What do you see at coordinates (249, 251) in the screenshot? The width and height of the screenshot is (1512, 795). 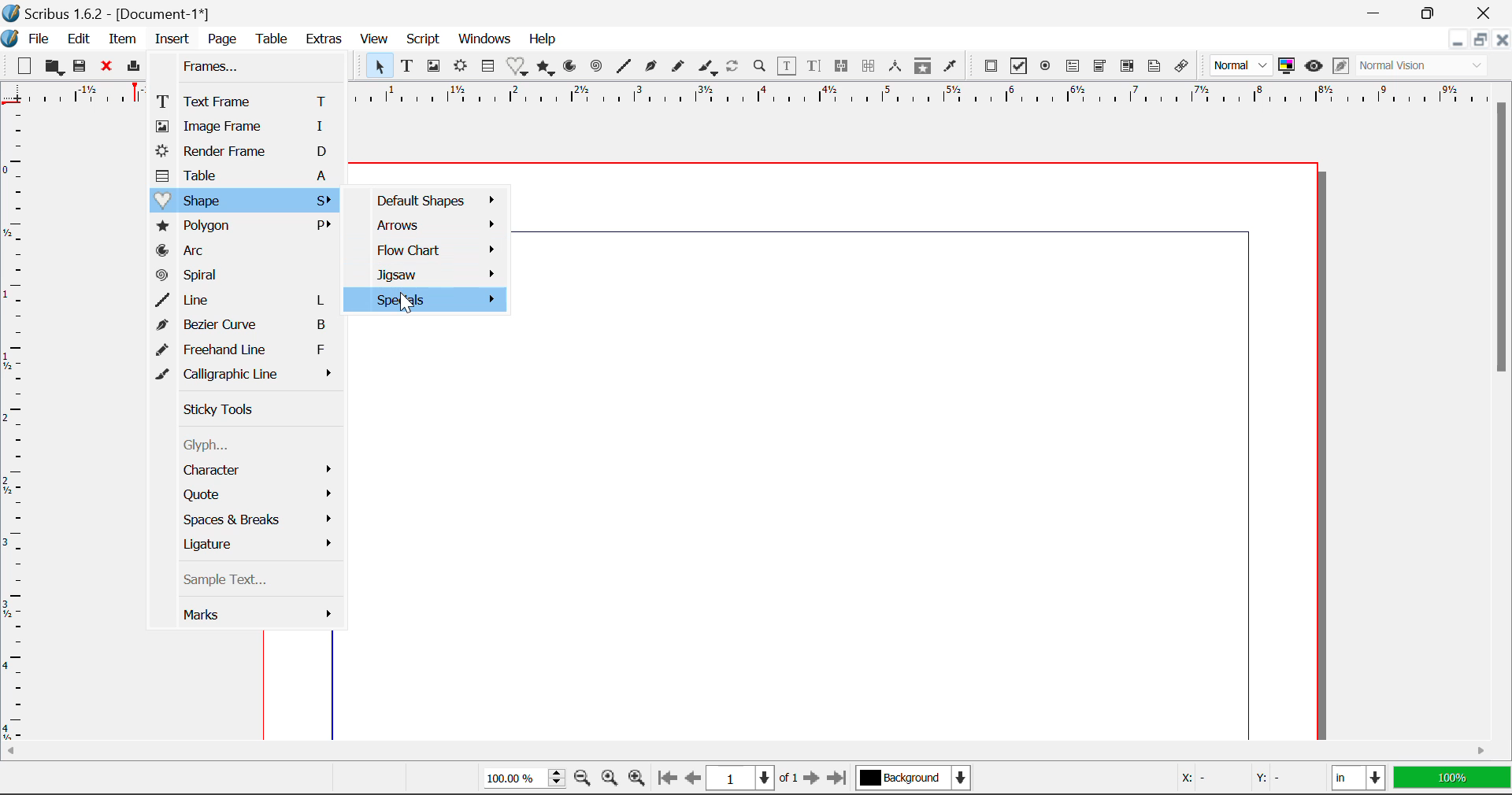 I see `Arc` at bounding box center [249, 251].